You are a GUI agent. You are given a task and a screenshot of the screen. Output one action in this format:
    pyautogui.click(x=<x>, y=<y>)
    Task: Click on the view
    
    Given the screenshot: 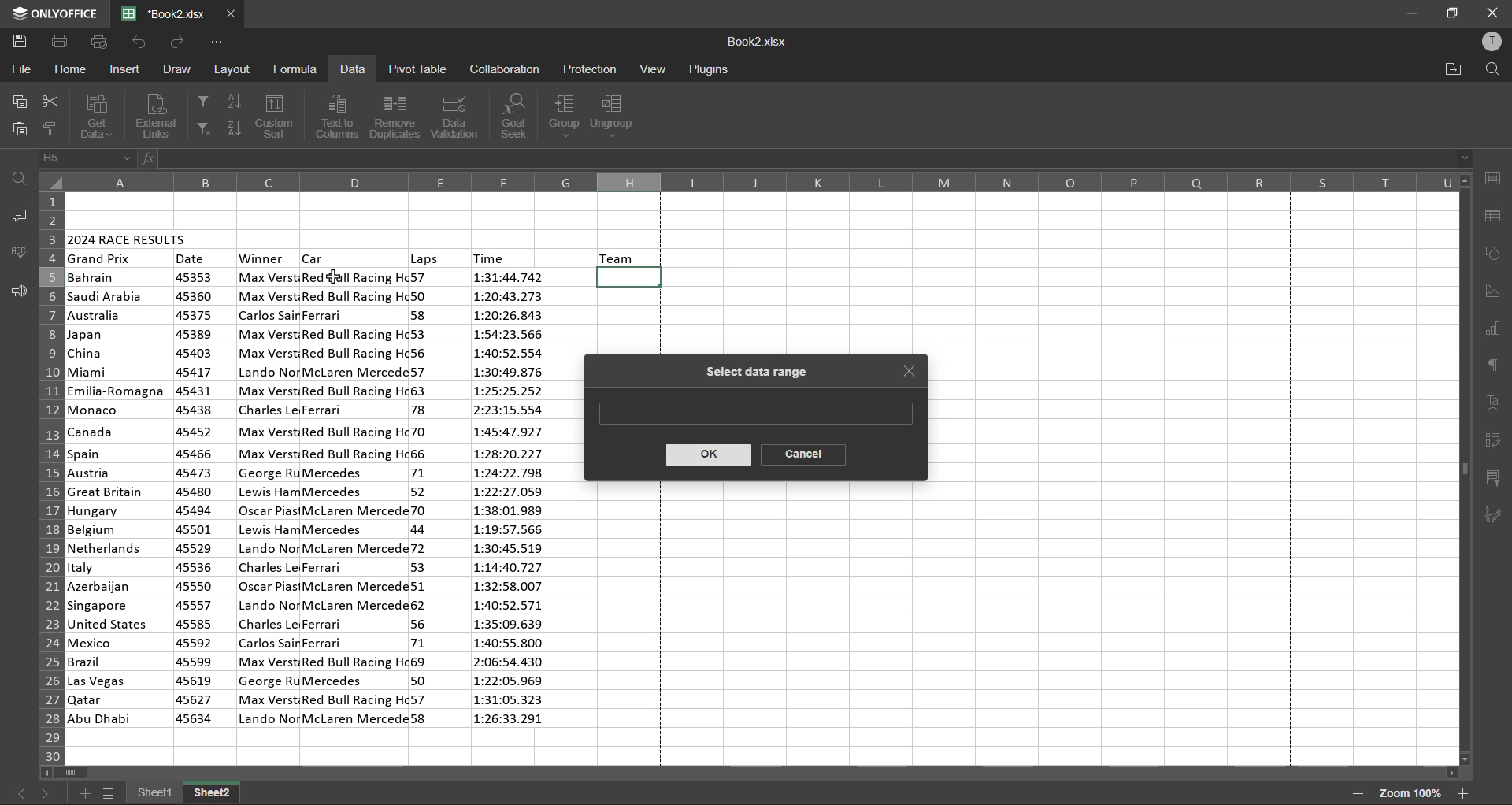 What is the action you would take?
    pyautogui.click(x=652, y=69)
    